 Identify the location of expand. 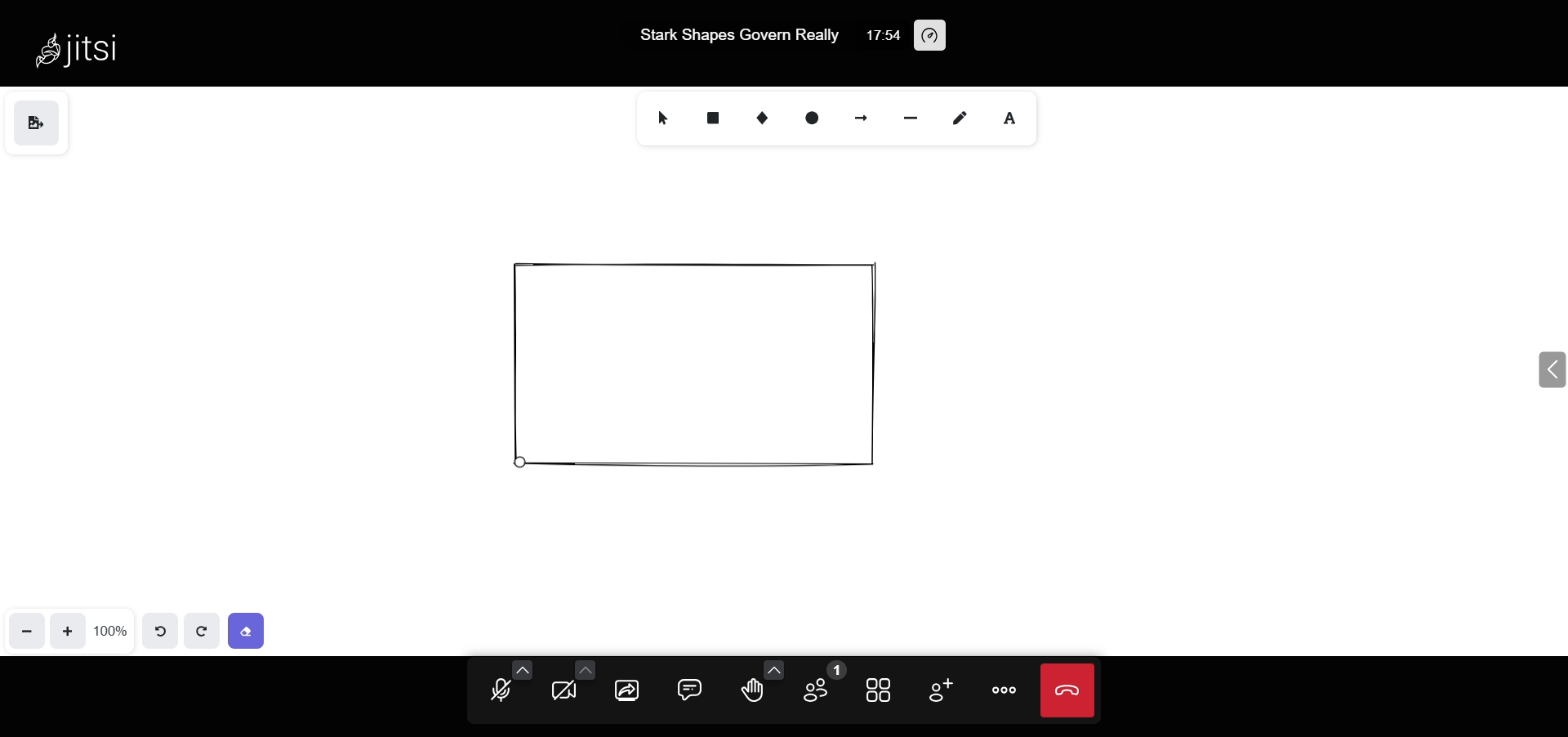
(1547, 371).